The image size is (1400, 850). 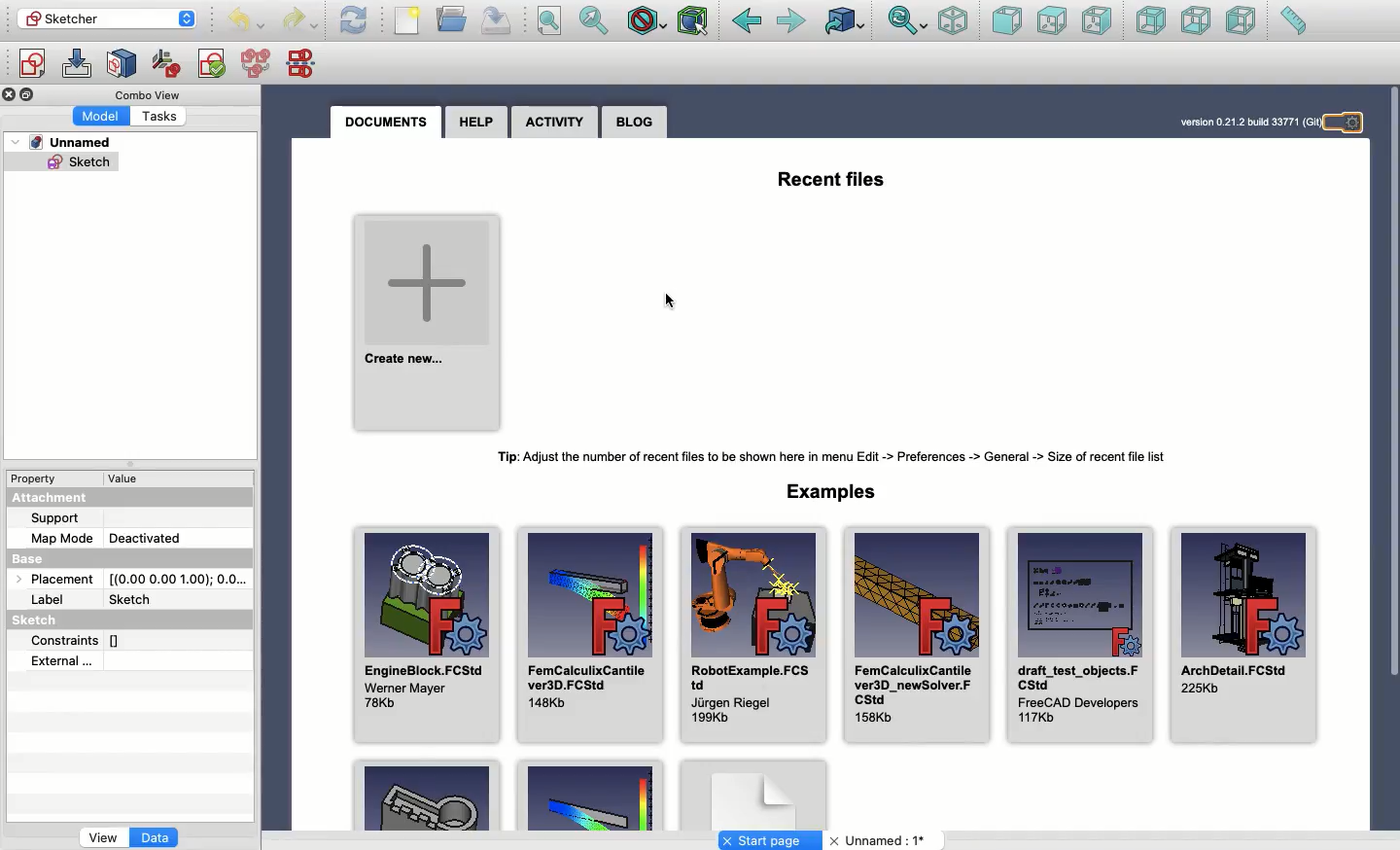 What do you see at coordinates (30, 63) in the screenshot?
I see `Create sketch` at bounding box center [30, 63].